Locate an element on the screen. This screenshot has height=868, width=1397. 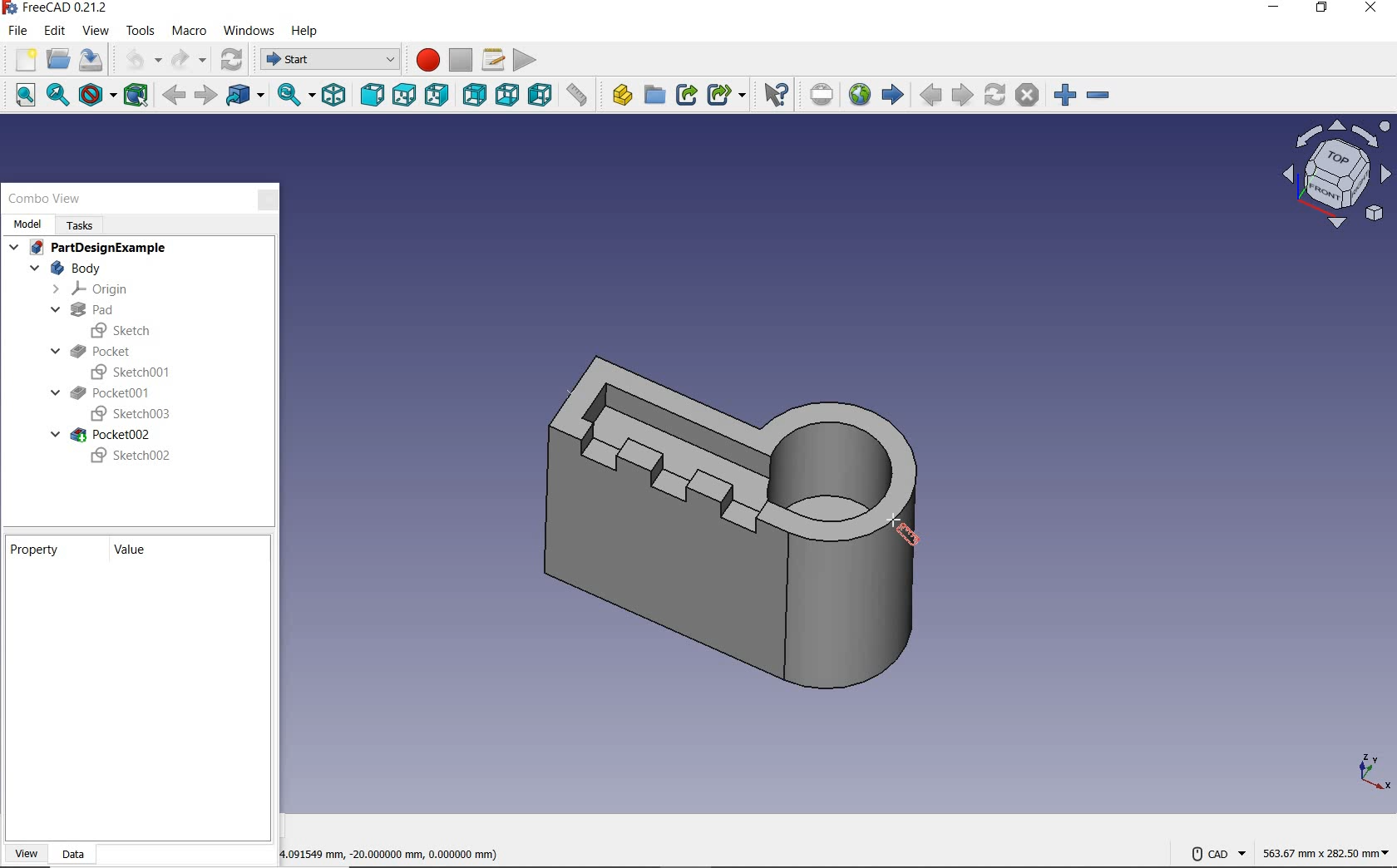
PARTDESIGNEXAMPLE is located at coordinates (90, 249).